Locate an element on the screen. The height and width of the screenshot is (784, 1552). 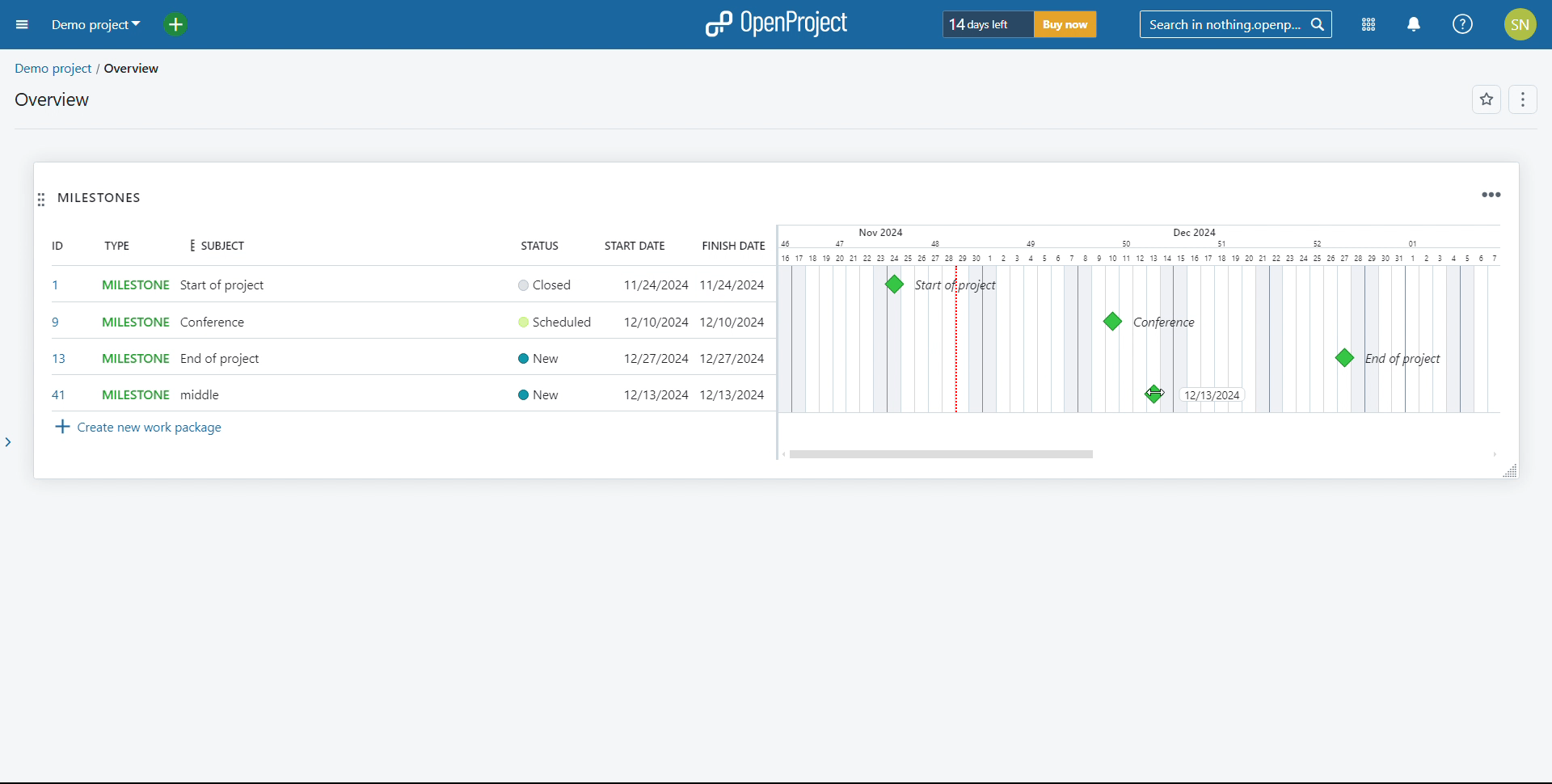
milestones is located at coordinates (100, 198).